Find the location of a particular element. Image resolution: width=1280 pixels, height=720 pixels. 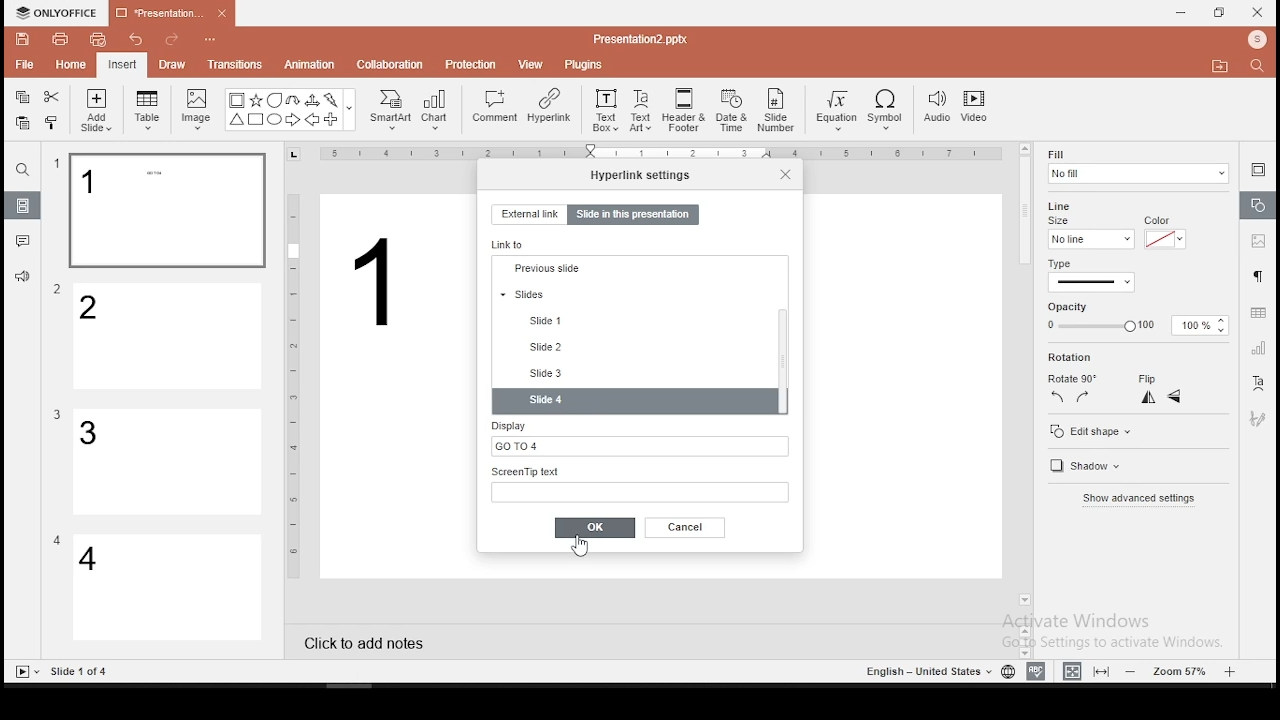

add slide is located at coordinates (96, 110).